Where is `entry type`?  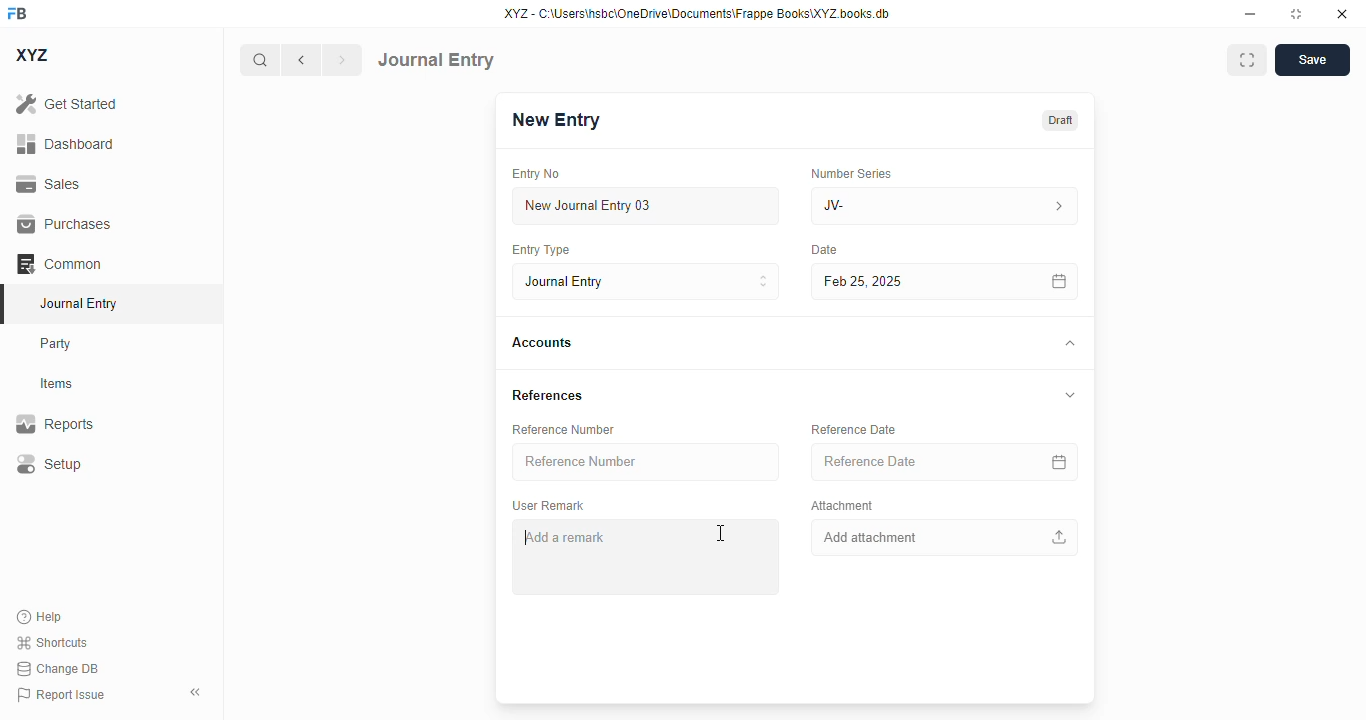
entry type is located at coordinates (643, 281).